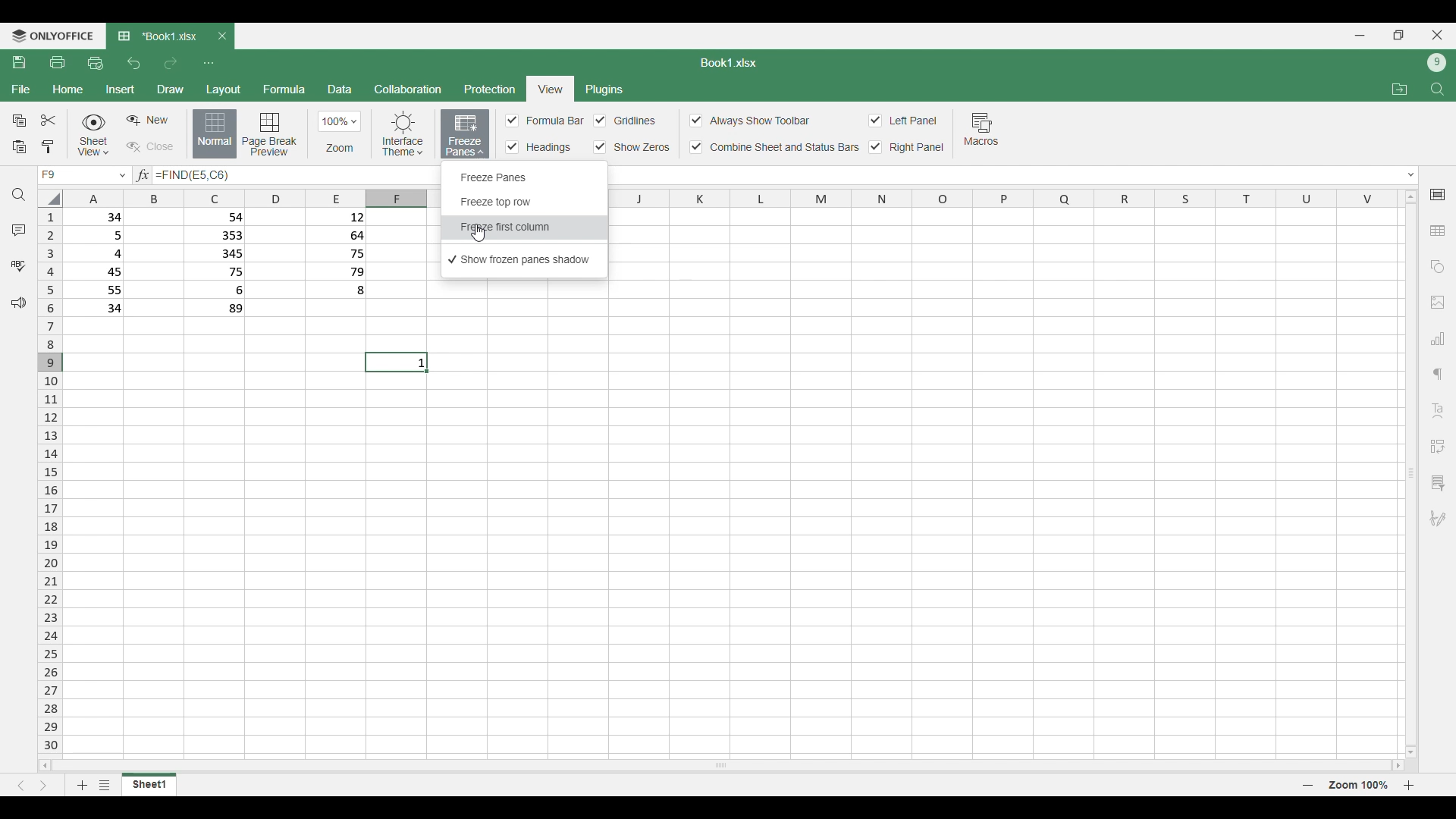 The height and width of the screenshot is (819, 1456). I want to click on Insert Text art, so click(1438, 411).